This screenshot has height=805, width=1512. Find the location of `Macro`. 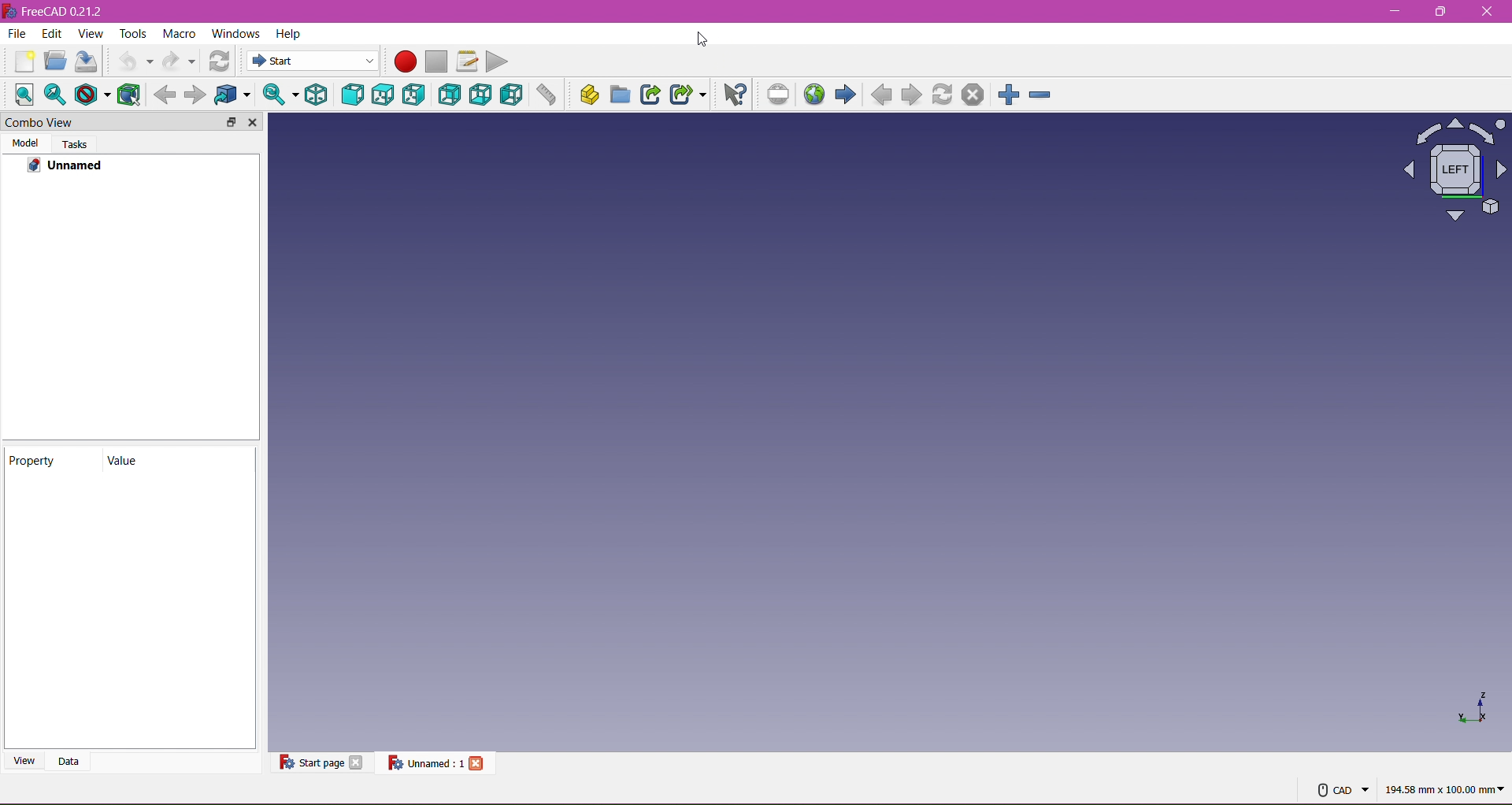

Macro is located at coordinates (179, 32).